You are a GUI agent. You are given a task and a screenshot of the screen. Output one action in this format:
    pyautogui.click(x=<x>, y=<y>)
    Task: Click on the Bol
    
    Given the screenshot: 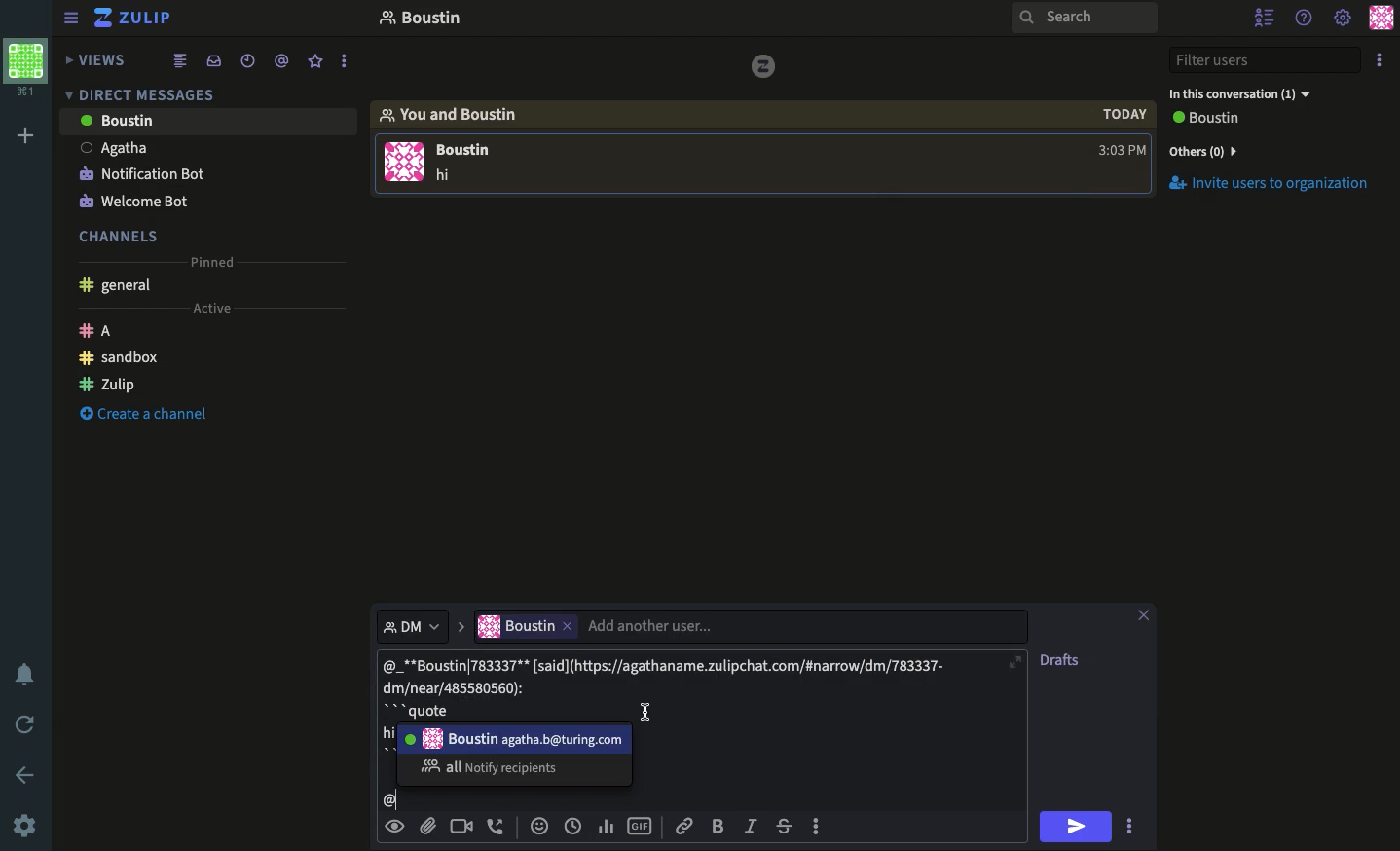 What is the action you would take?
    pyautogui.click(x=721, y=827)
    